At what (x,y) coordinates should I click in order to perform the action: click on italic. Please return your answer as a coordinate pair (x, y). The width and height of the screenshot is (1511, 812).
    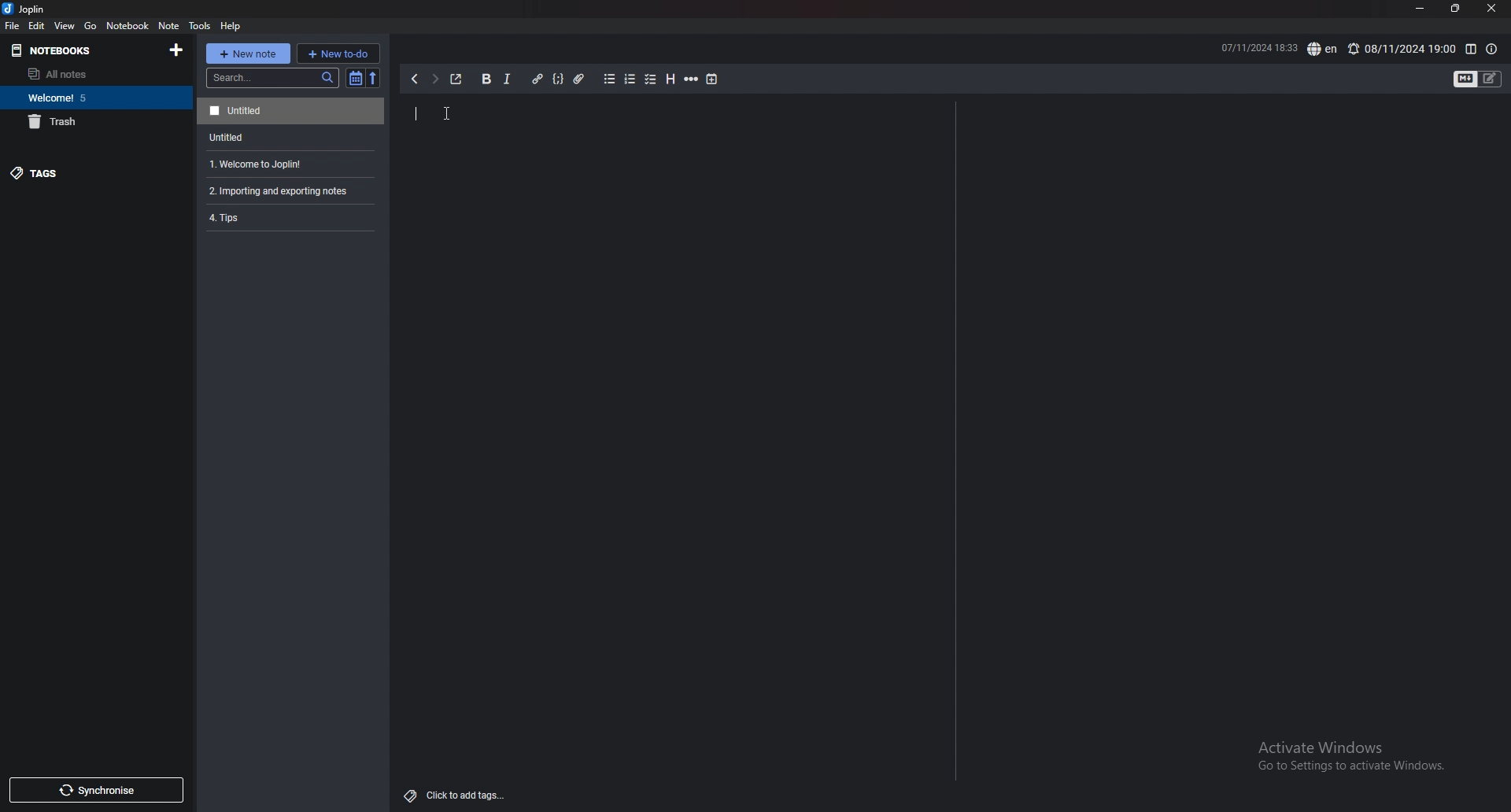
    Looking at the image, I should click on (508, 79).